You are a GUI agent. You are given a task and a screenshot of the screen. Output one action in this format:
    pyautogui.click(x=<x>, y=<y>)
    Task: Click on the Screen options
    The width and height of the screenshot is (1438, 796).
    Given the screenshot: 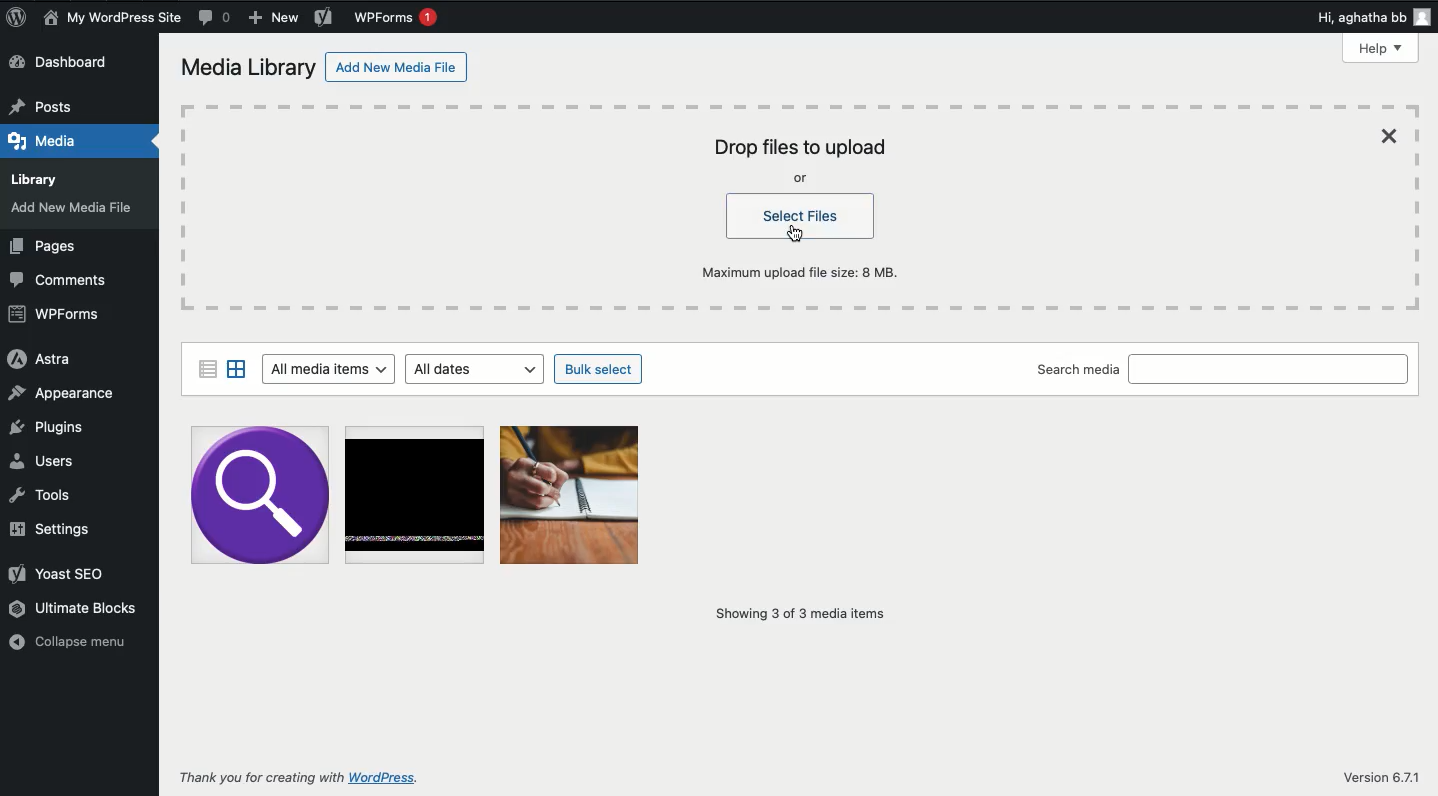 What is the action you would take?
    pyautogui.click(x=1265, y=49)
    